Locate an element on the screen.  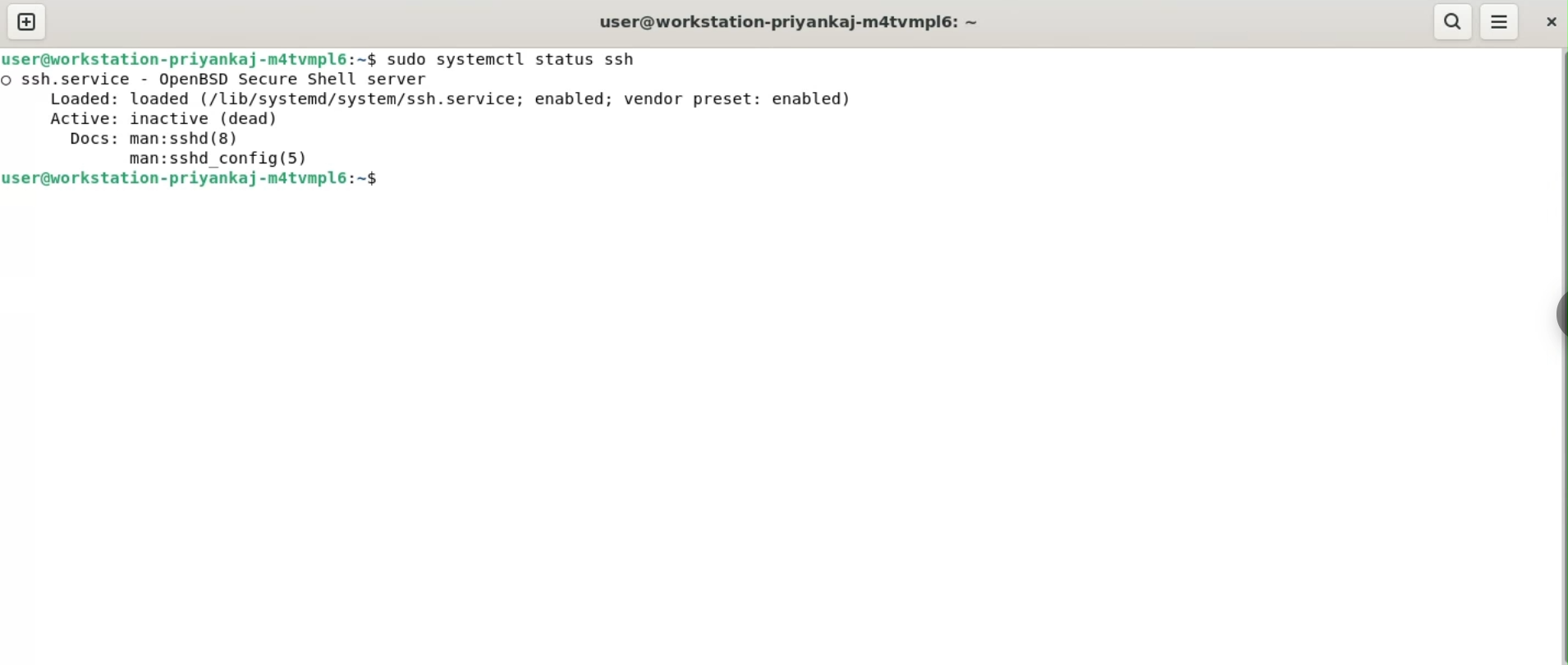
) ssh.service - OpenBSD Secure Shell server
Loaded: loaded (/lib/systemd/system/ssh.service; enabled; vendor preset: enabled)
Active: inactive (dead)
Docs: man:sshd(8)
man:sshd config(5) is located at coordinates (460, 120).